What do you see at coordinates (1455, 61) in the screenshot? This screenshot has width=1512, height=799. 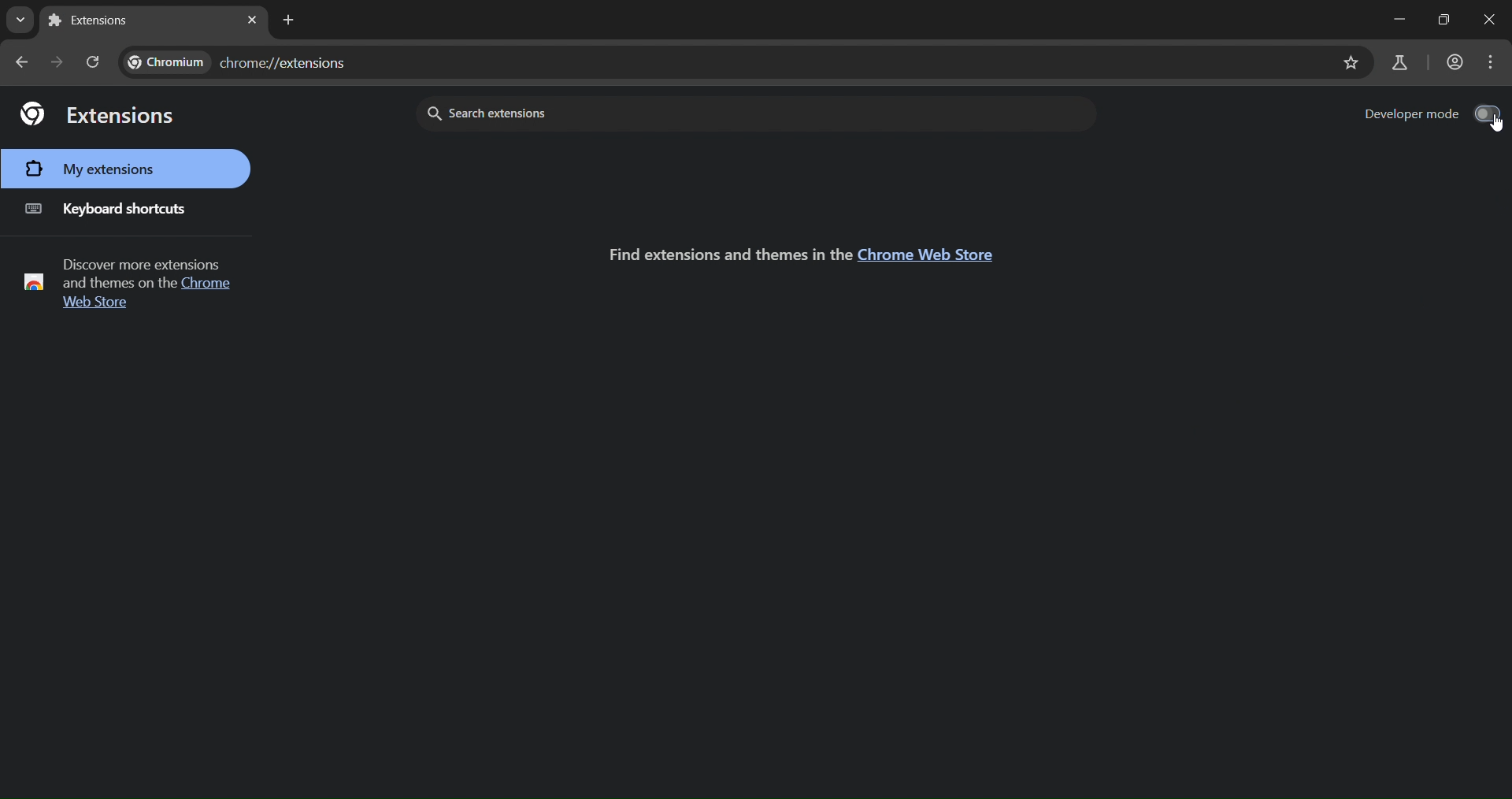 I see `account` at bounding box center [1455, 61].